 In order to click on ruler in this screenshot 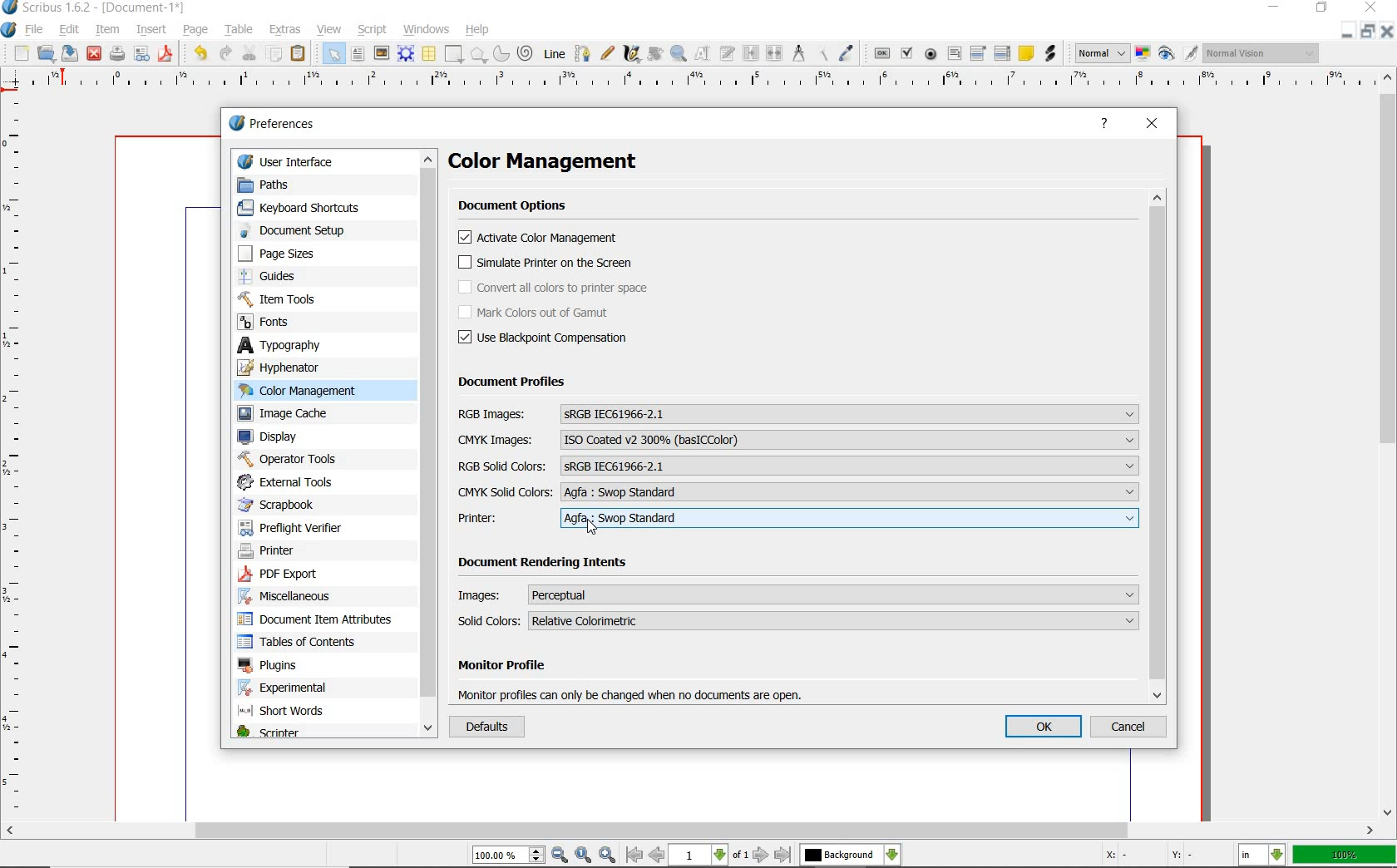, I will do `click(22, 457)`.